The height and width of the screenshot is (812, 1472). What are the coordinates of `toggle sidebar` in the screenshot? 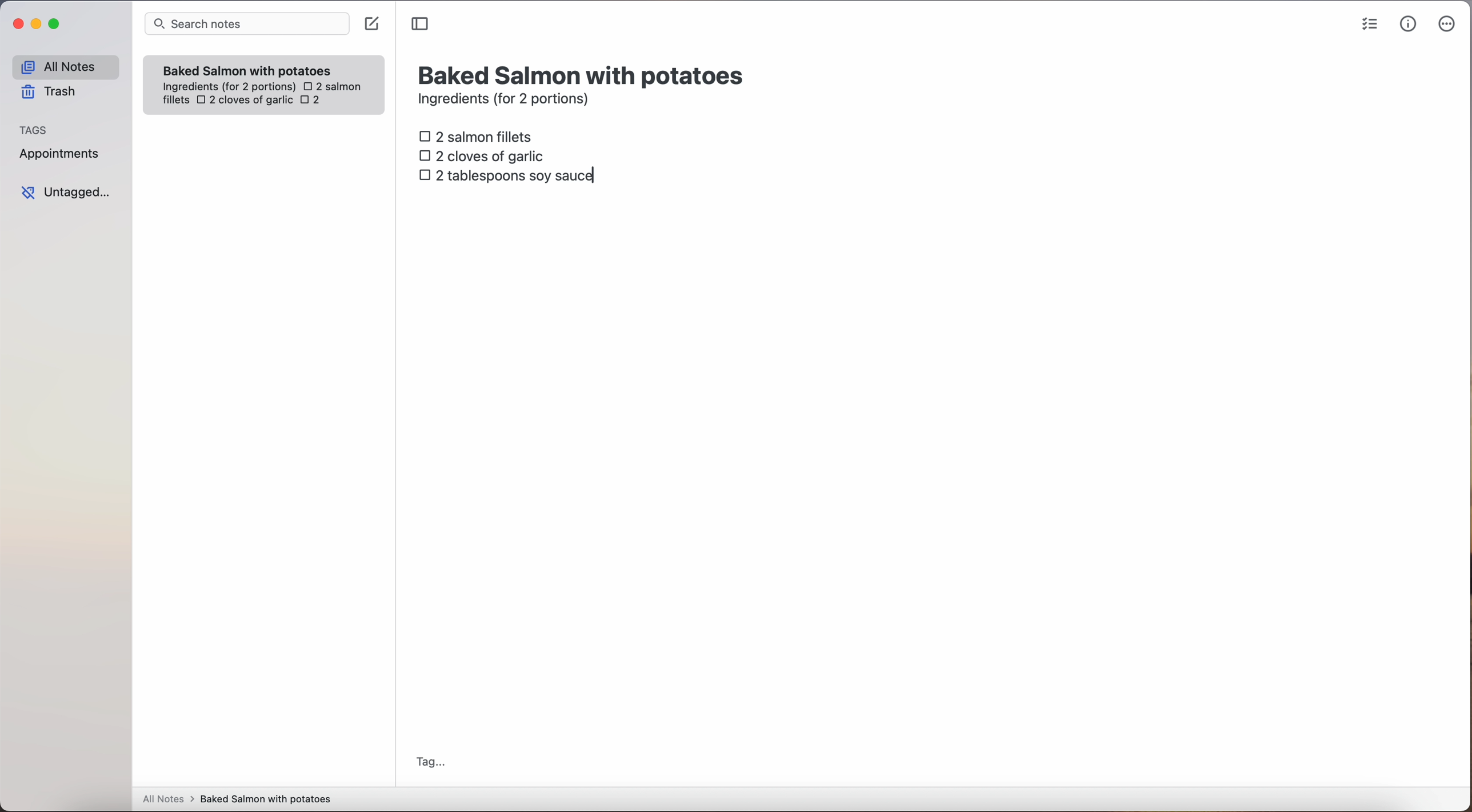 It's located at (421, 25).